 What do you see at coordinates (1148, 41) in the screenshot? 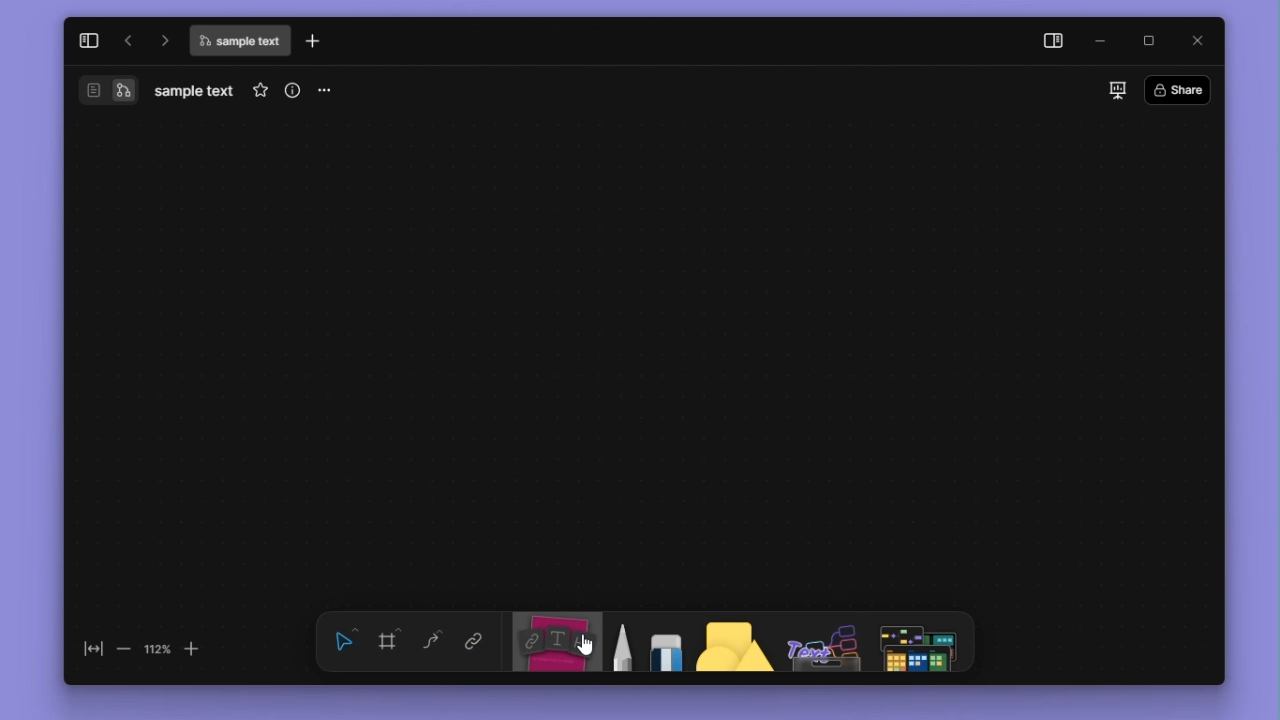
I see `maximize` at bounding box center [1148, 41].